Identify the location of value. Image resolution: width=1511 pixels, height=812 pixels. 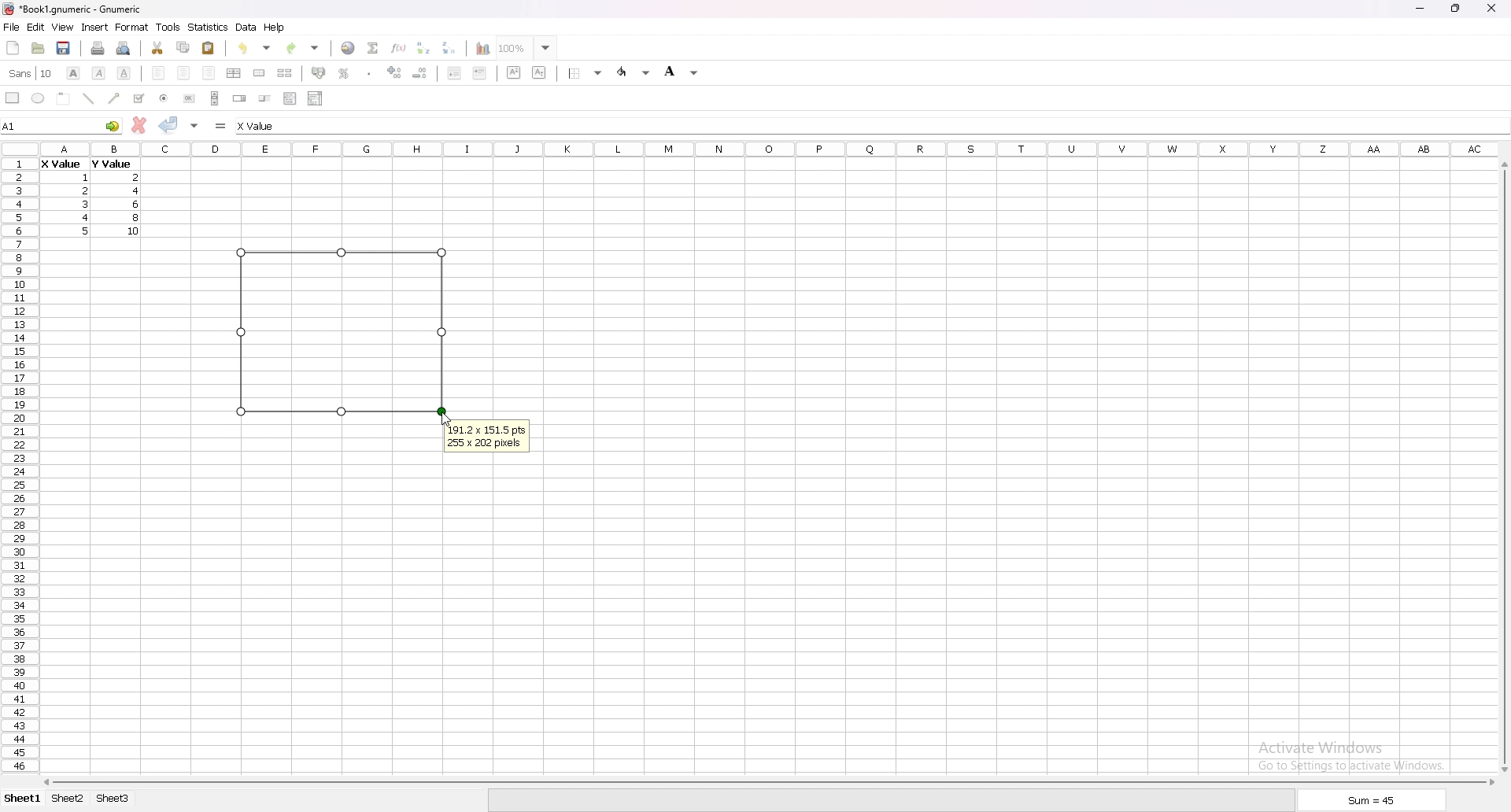
(110, 164).